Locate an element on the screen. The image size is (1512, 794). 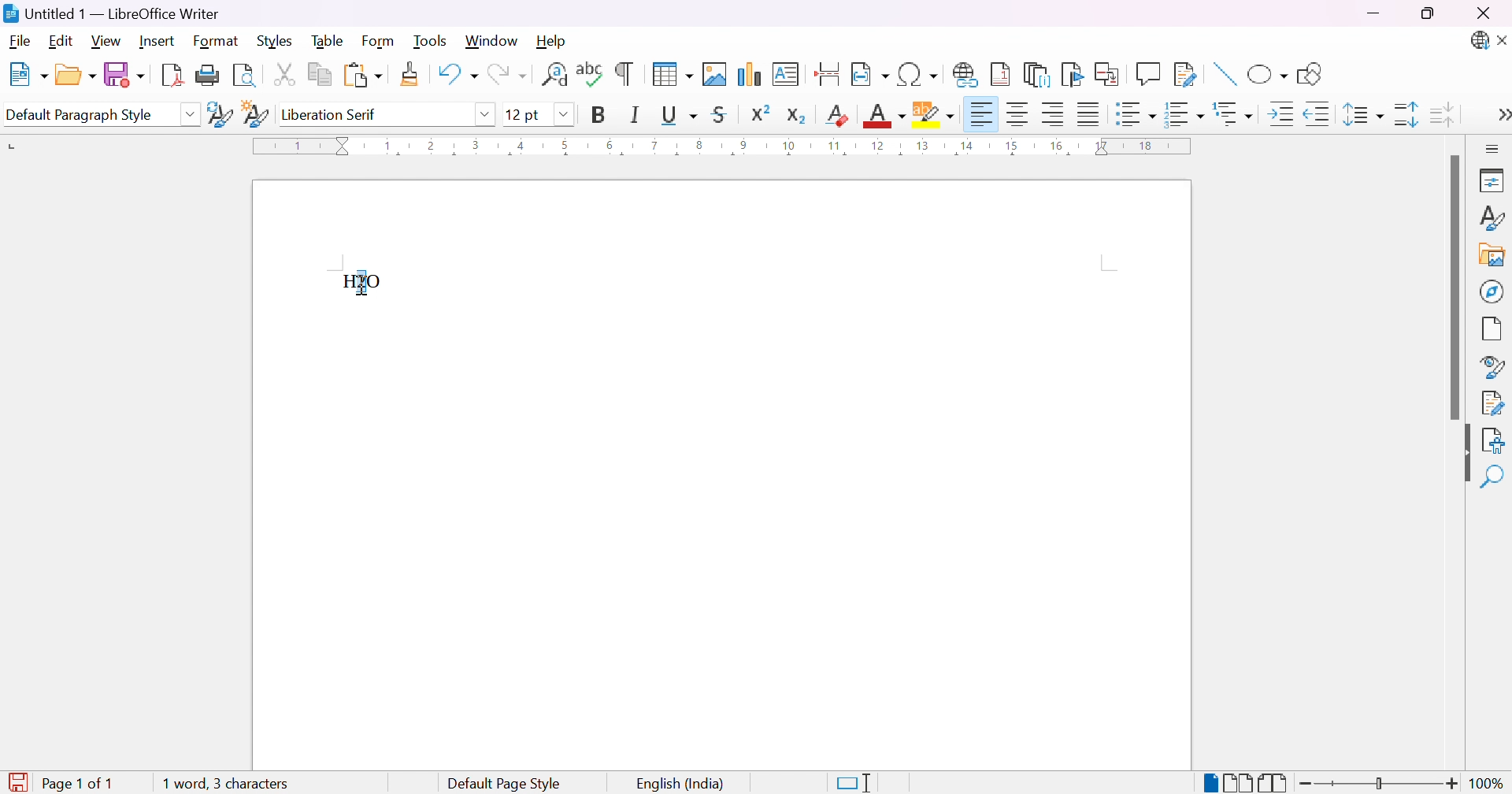
 is located at coordinates (624, 74).